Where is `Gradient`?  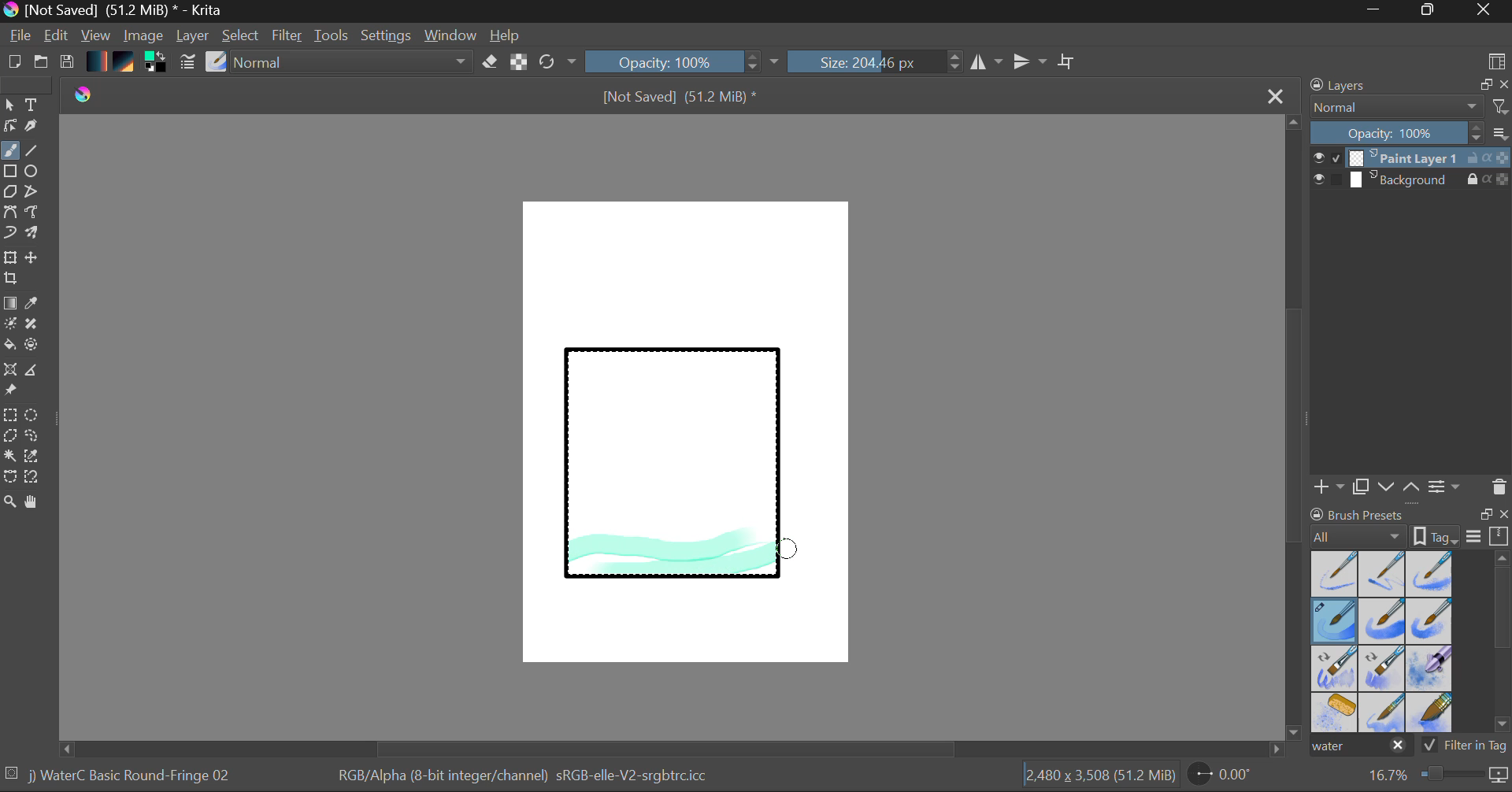
Gradient is located at coordinates (95, 60).